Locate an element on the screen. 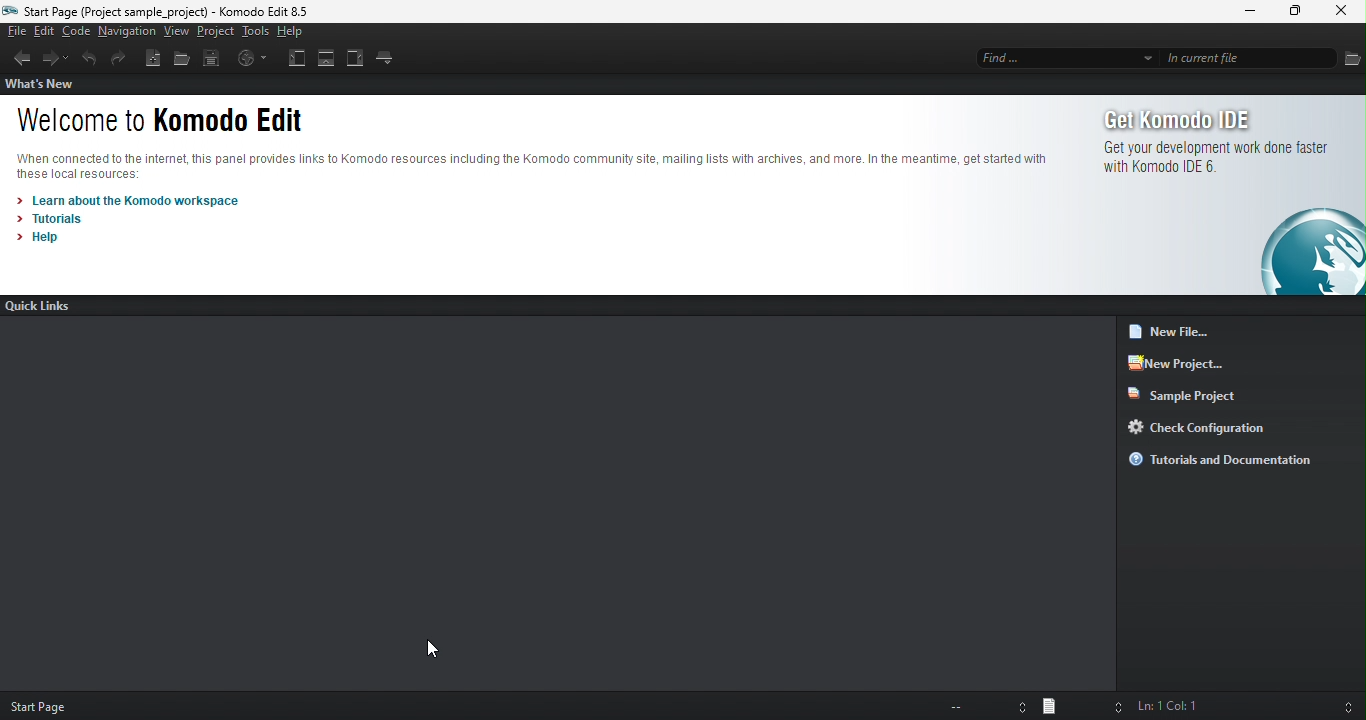 The image size is (1366, 720). open is located at coordinates (184, 55).